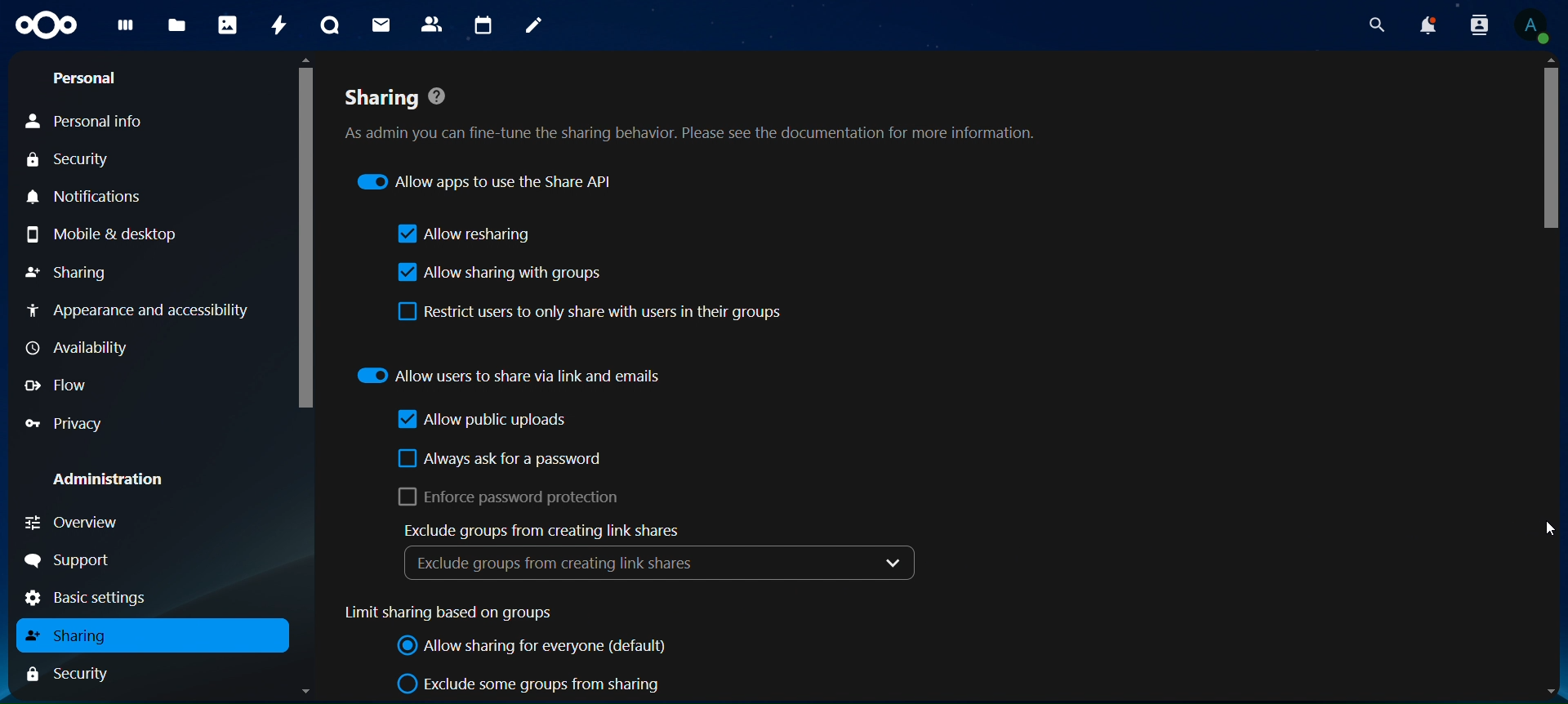 The image size is (1568, 704). What do you see at coordinates (69, 635) in the screenshot?
I see `sharing` at bounding box center [69, 635].